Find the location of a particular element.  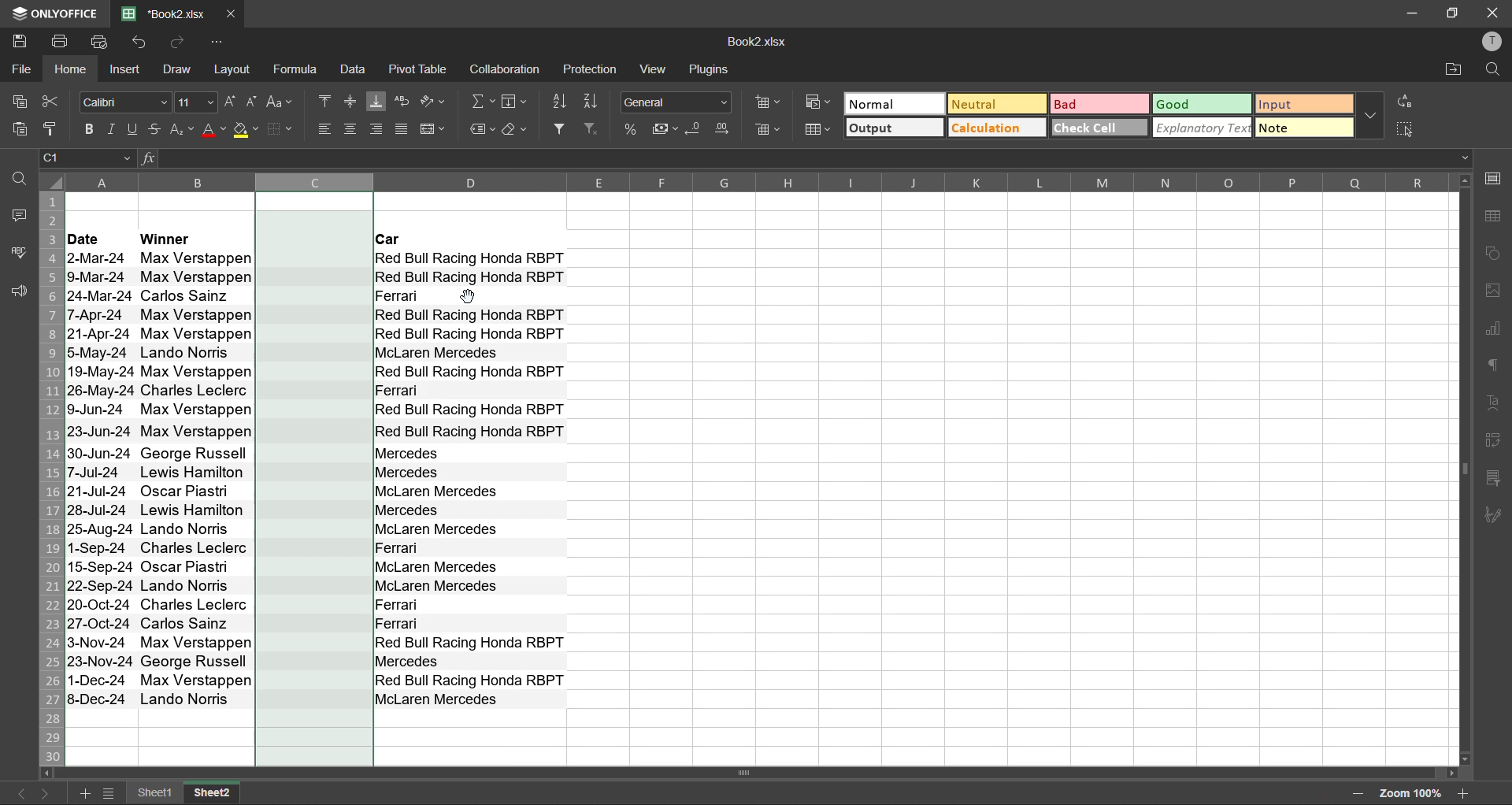

decrement size is located at coordinates (254, 100).